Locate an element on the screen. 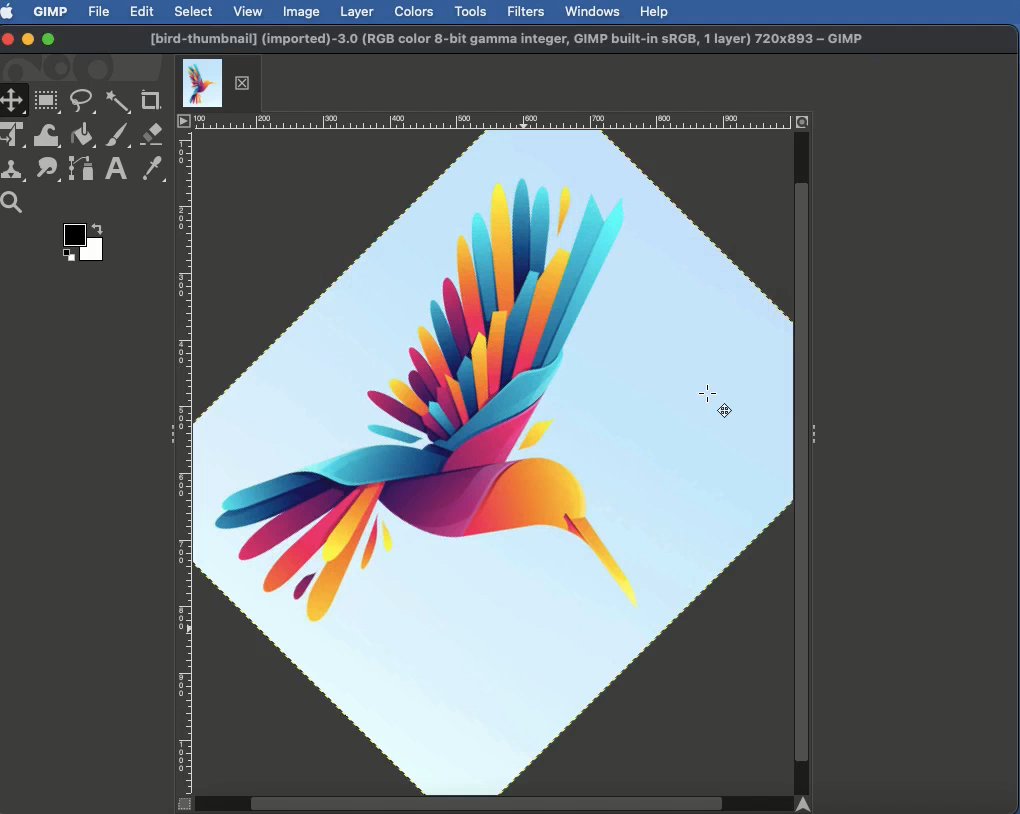  current Tab is located at coordinates (202, 81).